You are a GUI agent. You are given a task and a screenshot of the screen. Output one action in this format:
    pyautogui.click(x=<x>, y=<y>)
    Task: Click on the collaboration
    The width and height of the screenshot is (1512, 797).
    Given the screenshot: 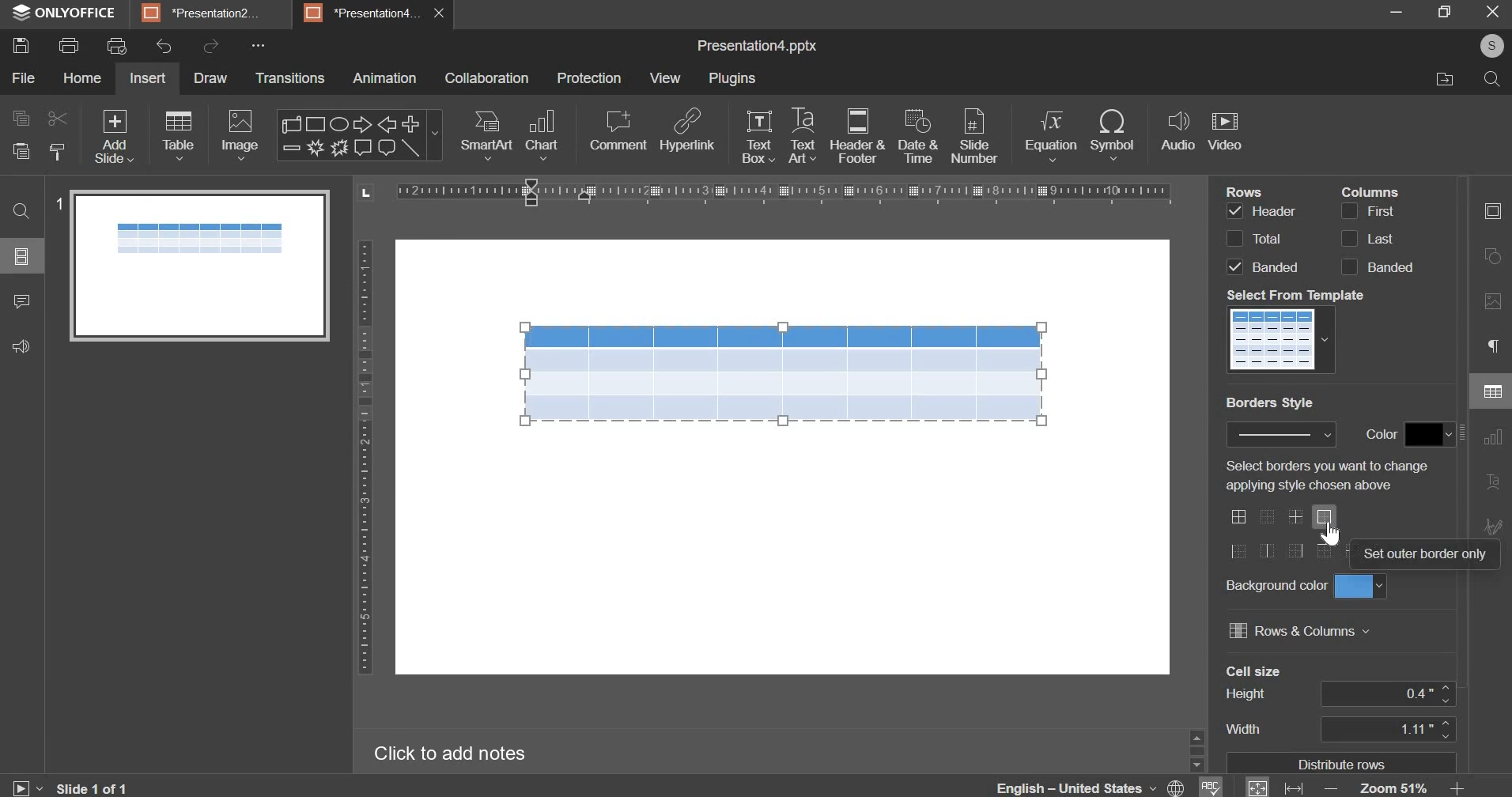 What is the action you would take?
    pyautogui.click(x=487, y=78)
    